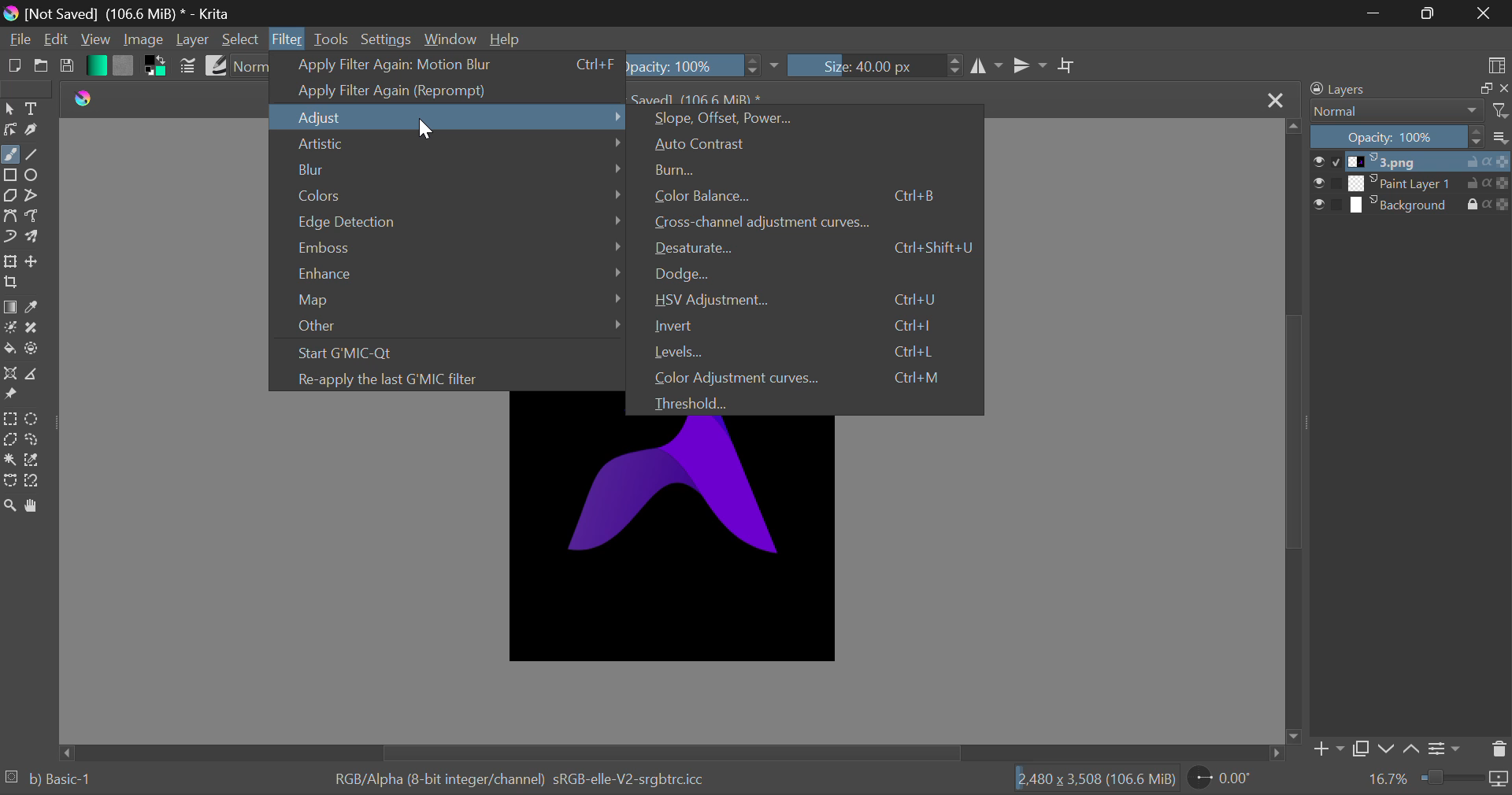 The image size is (1512, 795). What do you see at coordinates (35, 481) in the screenshot?
I see `Magnetic Selection` at bounding box center [35, 481].